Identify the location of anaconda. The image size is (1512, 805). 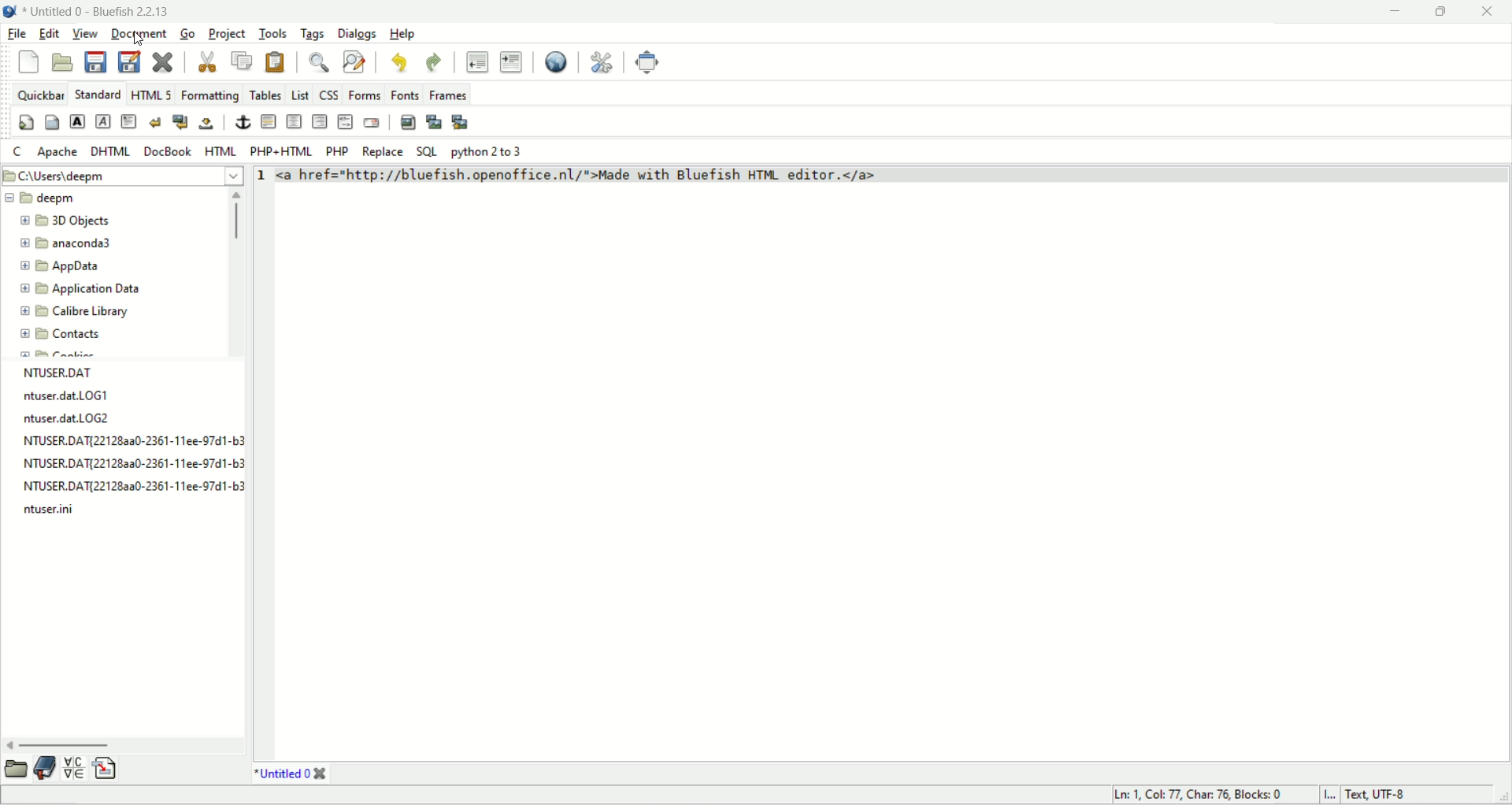
(70, 241).